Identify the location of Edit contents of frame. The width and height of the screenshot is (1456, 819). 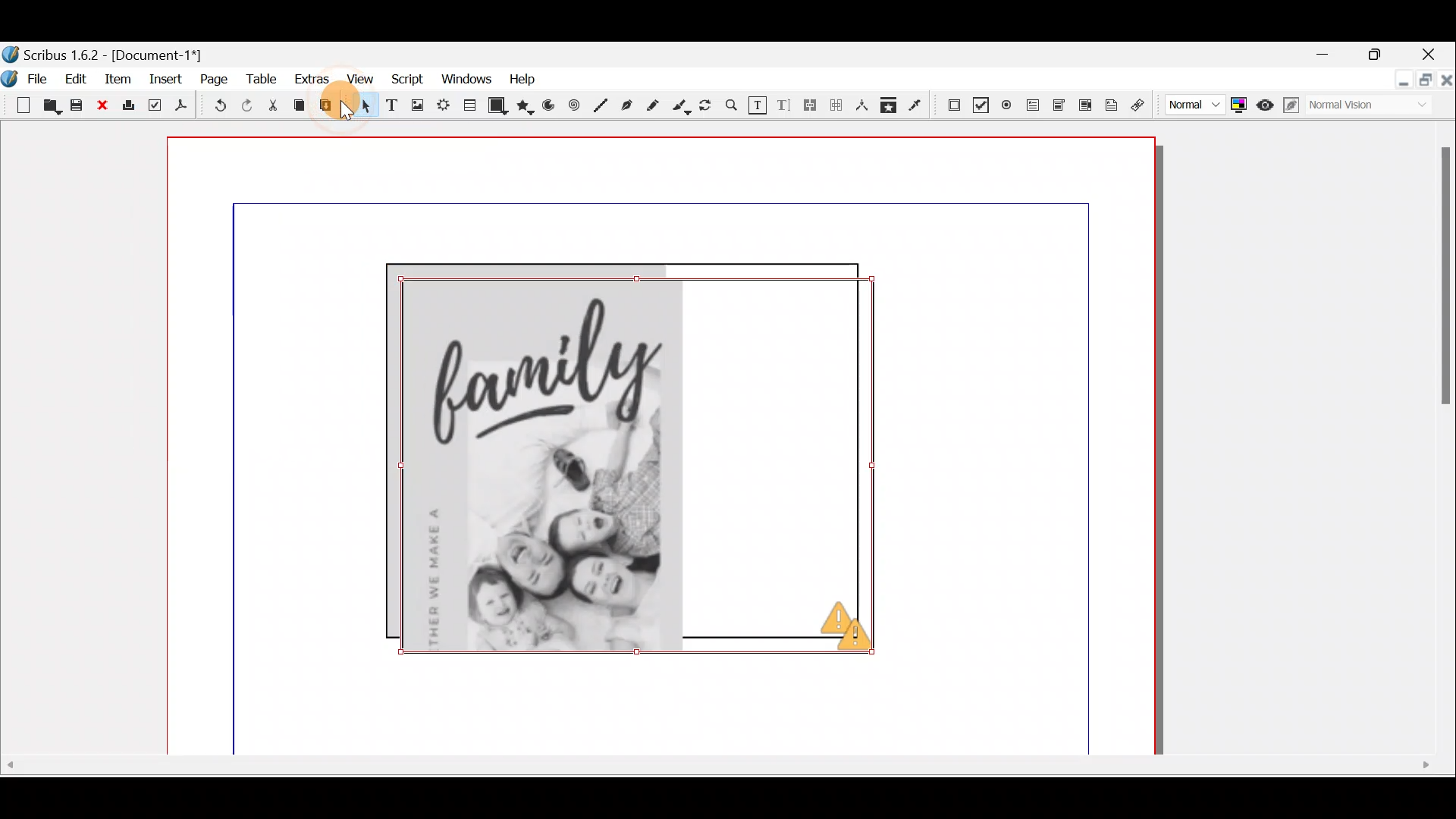
(758, 105).